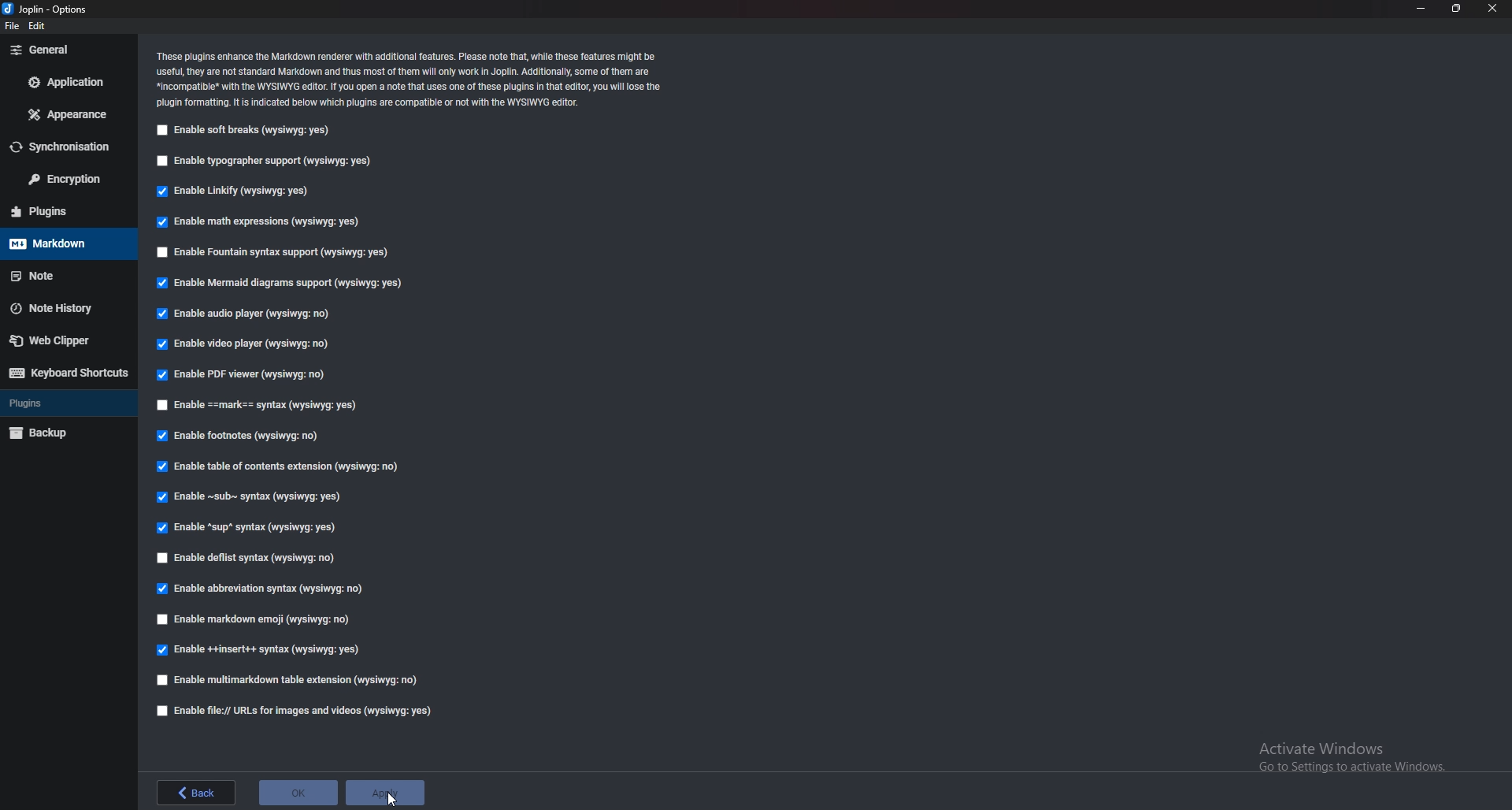 This screenshot has height=810, width=1512. What do you see at coordinates (11, 27) in the screenshot?
I see `file` at bounding box center [11, 27].